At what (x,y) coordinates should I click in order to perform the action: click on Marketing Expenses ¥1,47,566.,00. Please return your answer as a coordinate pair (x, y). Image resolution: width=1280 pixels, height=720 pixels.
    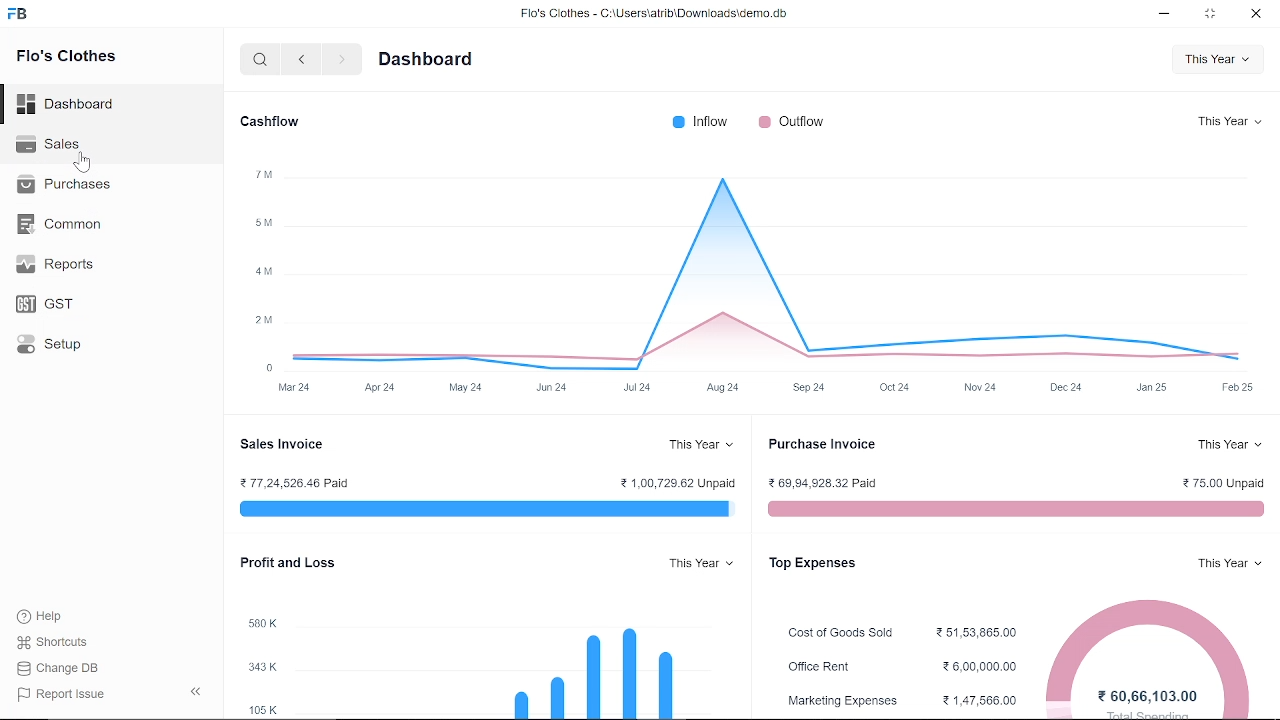
    Looking at the image, I should click on (900, 700).